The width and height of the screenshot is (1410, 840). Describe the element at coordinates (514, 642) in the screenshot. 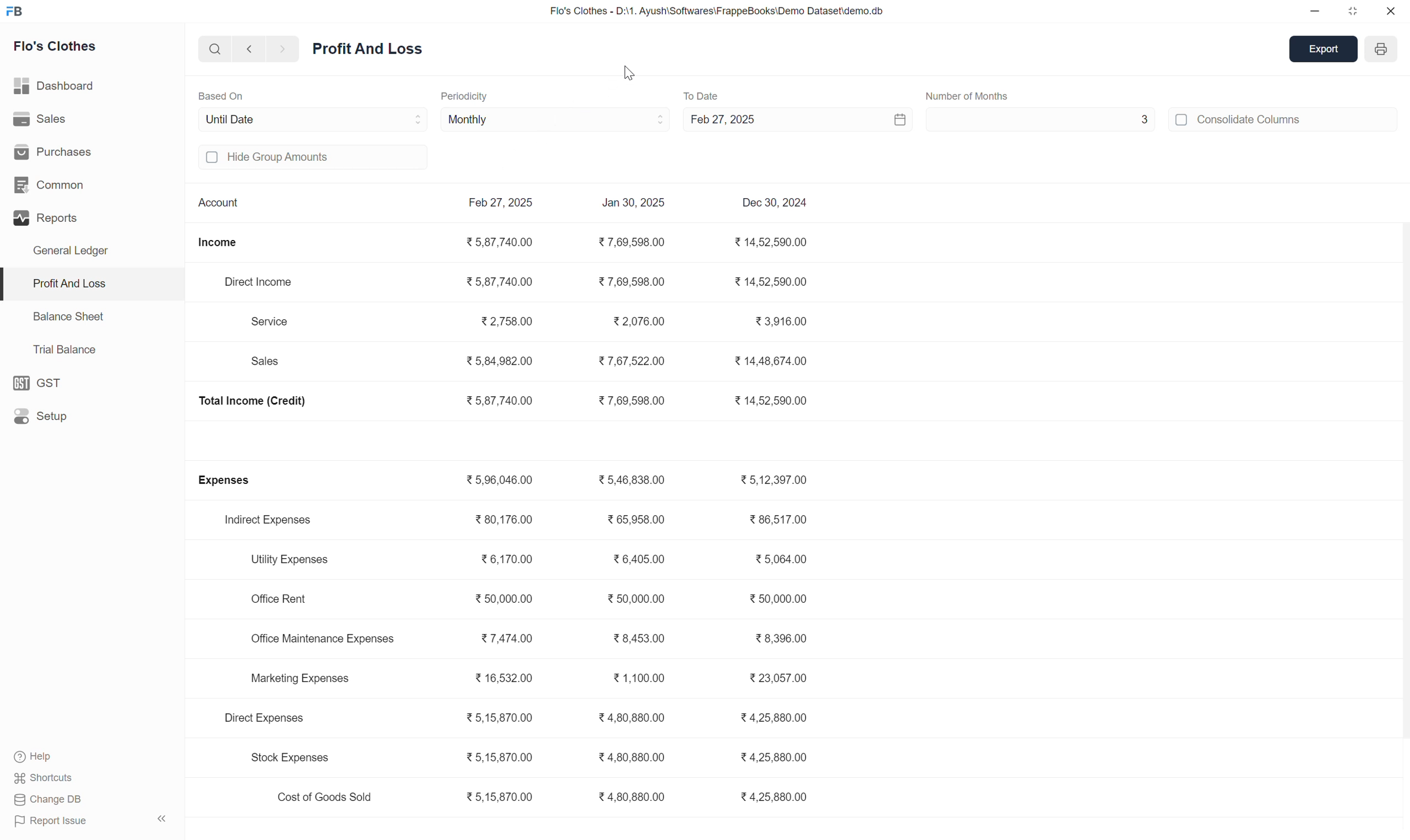

I see `₹7,474.00` at that location.